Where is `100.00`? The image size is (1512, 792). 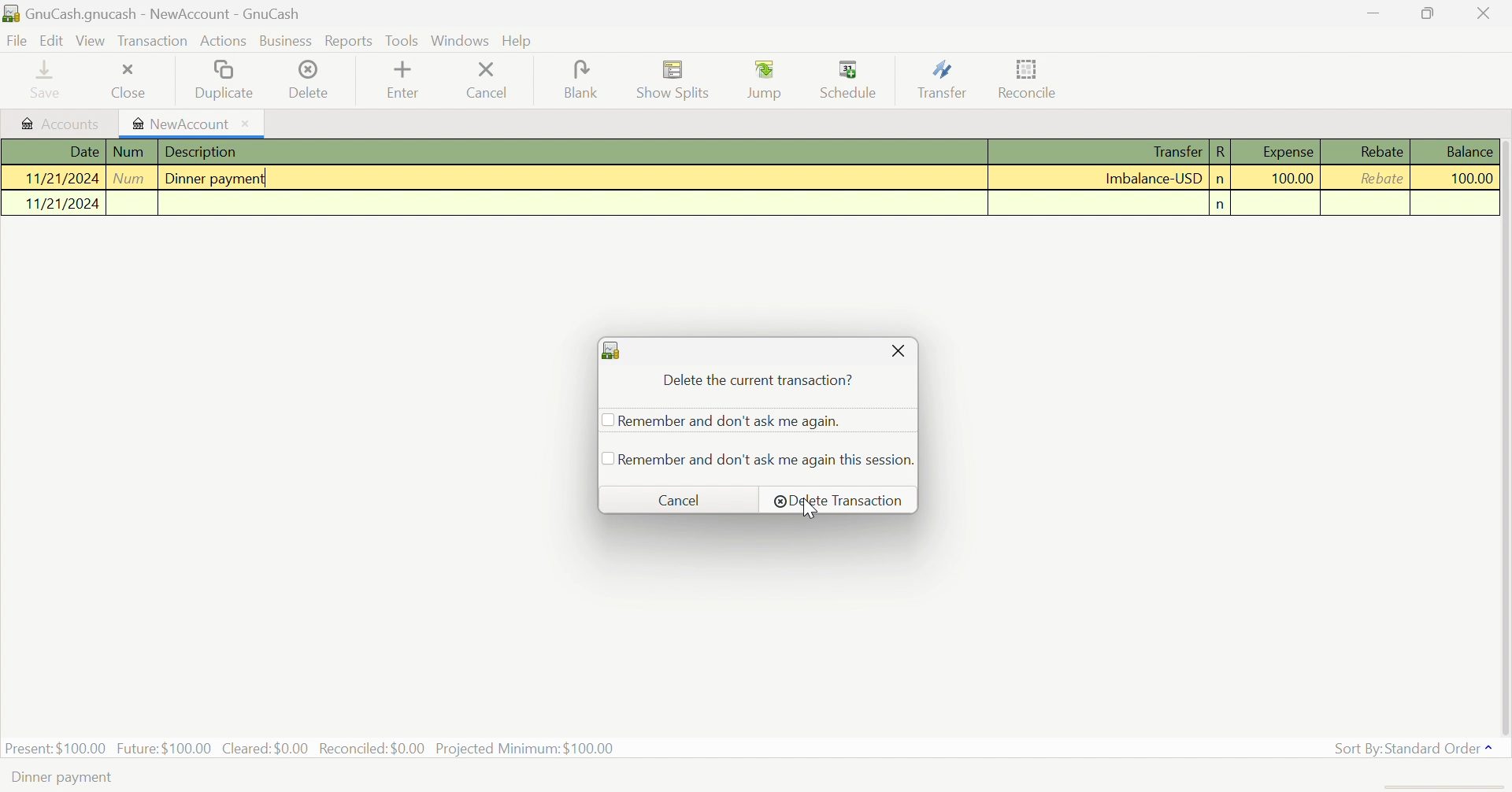 100.00 is located at coordinates (1291, 180).